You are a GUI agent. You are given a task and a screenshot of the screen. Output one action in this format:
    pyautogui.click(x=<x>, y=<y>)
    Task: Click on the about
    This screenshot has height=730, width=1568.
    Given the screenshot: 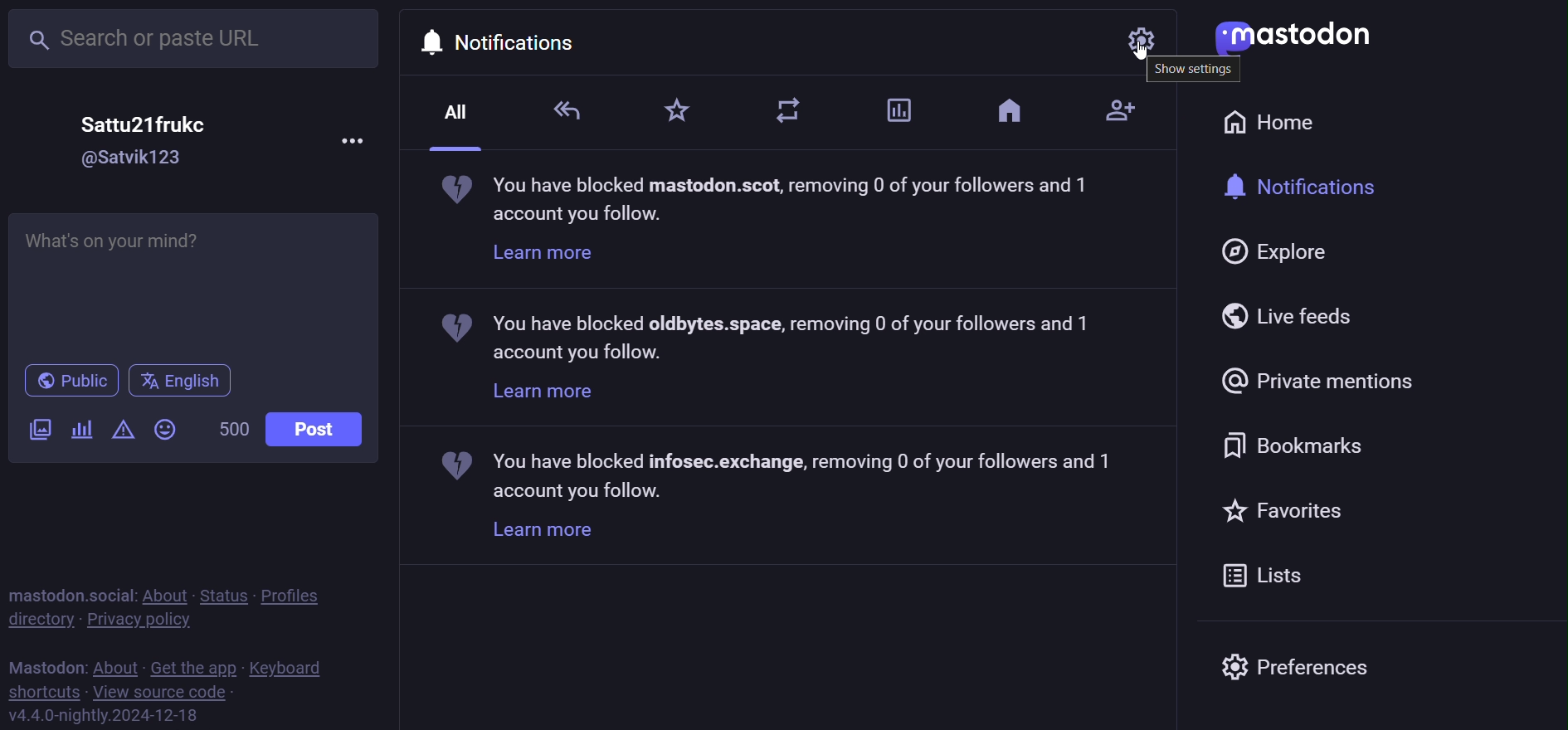 What is the action you would take?
    pyautogui.click(x=162, y=593)
    